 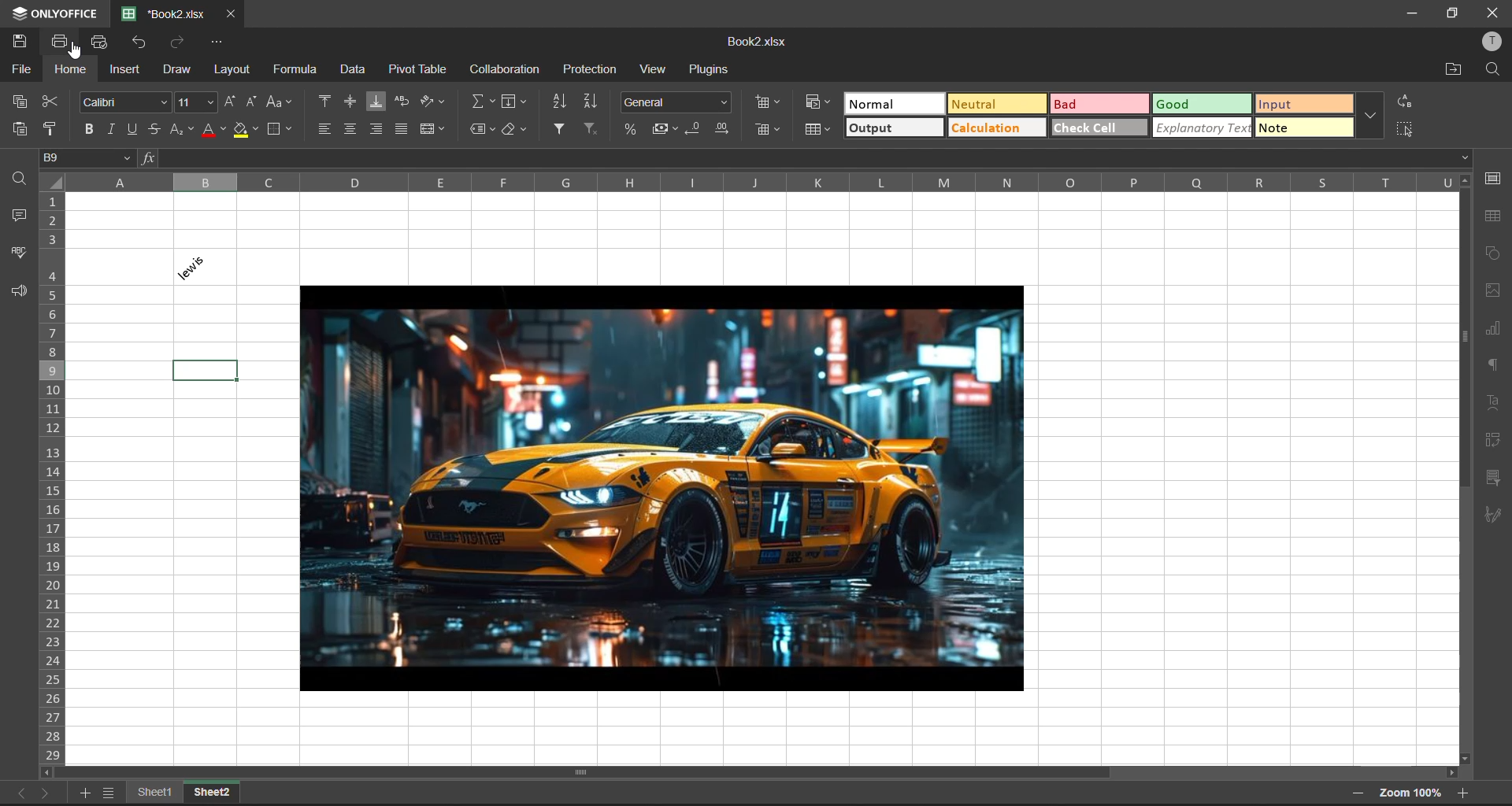 What do you see at coordinates (1497, 441) in the screenshot?
I see `pivot table` at bounding box center [1497, 441].